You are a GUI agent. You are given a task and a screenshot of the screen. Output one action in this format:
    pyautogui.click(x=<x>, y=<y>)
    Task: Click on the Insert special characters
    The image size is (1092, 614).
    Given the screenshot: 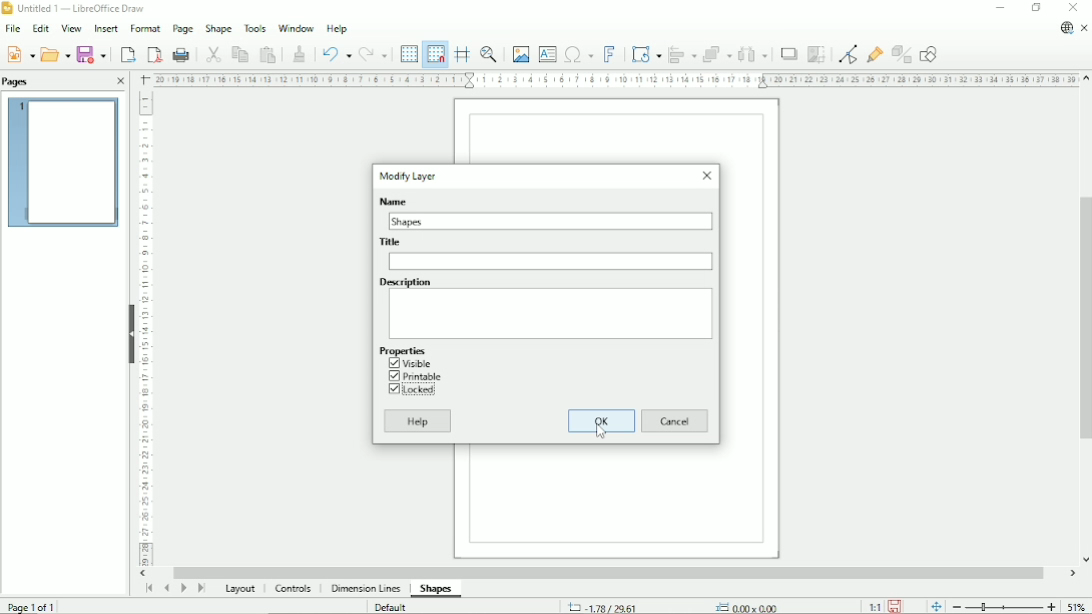 What is the action you would take?
    pyautogui.click(x=578, y=53)
    